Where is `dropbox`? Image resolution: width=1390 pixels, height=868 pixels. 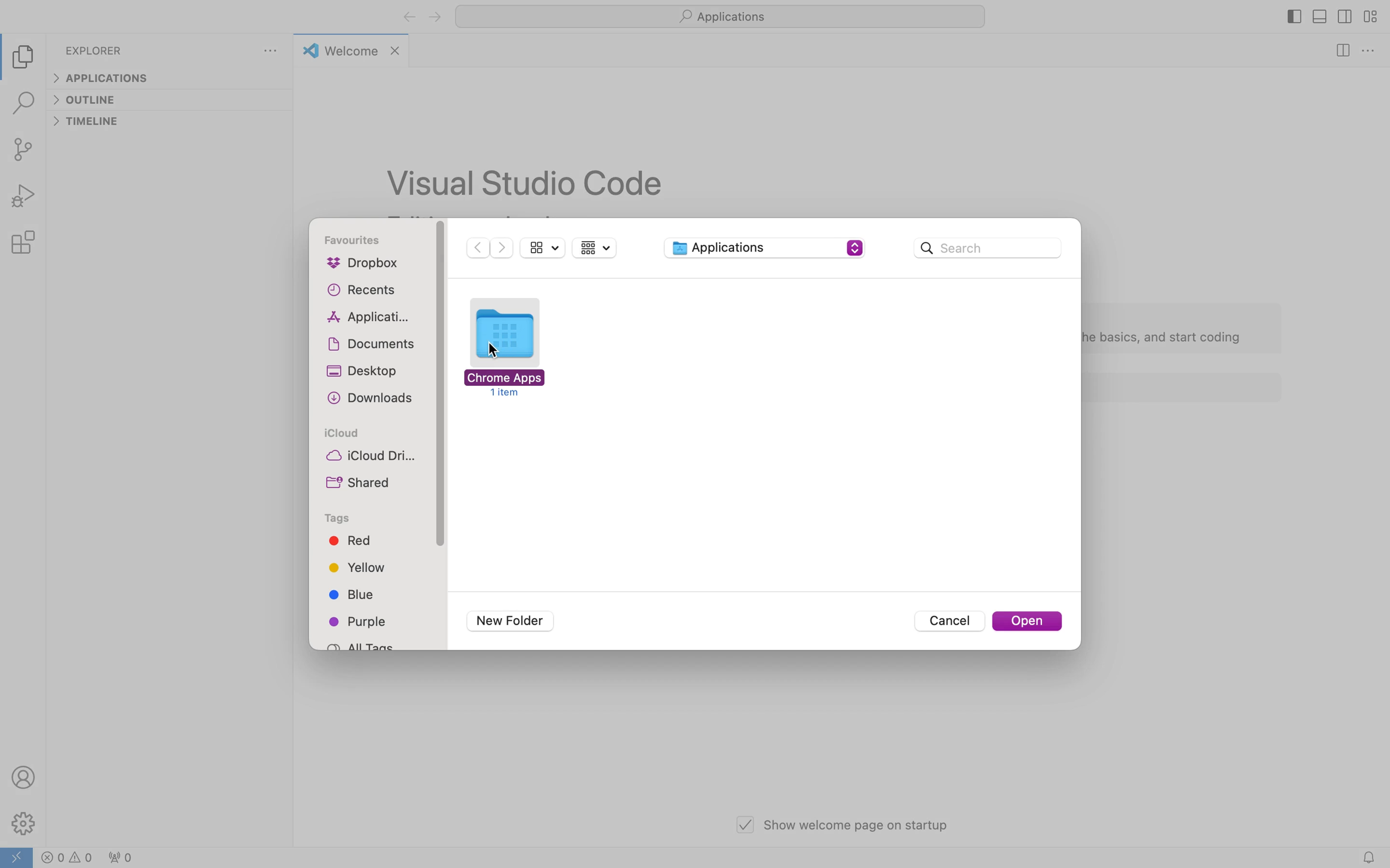 dropbox is located at coordinates (369, 265).